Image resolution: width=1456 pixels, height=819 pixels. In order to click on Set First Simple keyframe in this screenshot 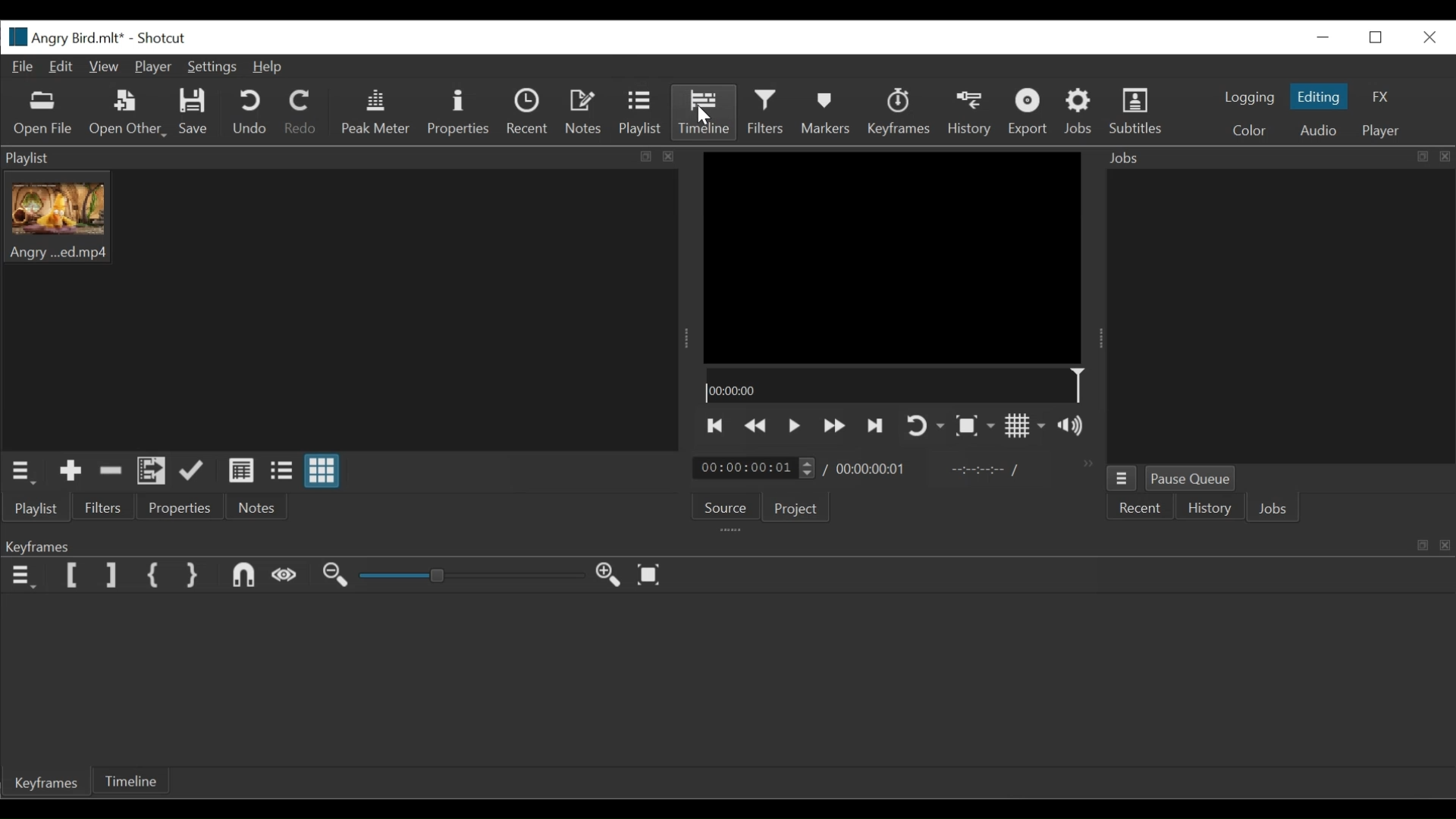, I will do `click(153, 576)`.